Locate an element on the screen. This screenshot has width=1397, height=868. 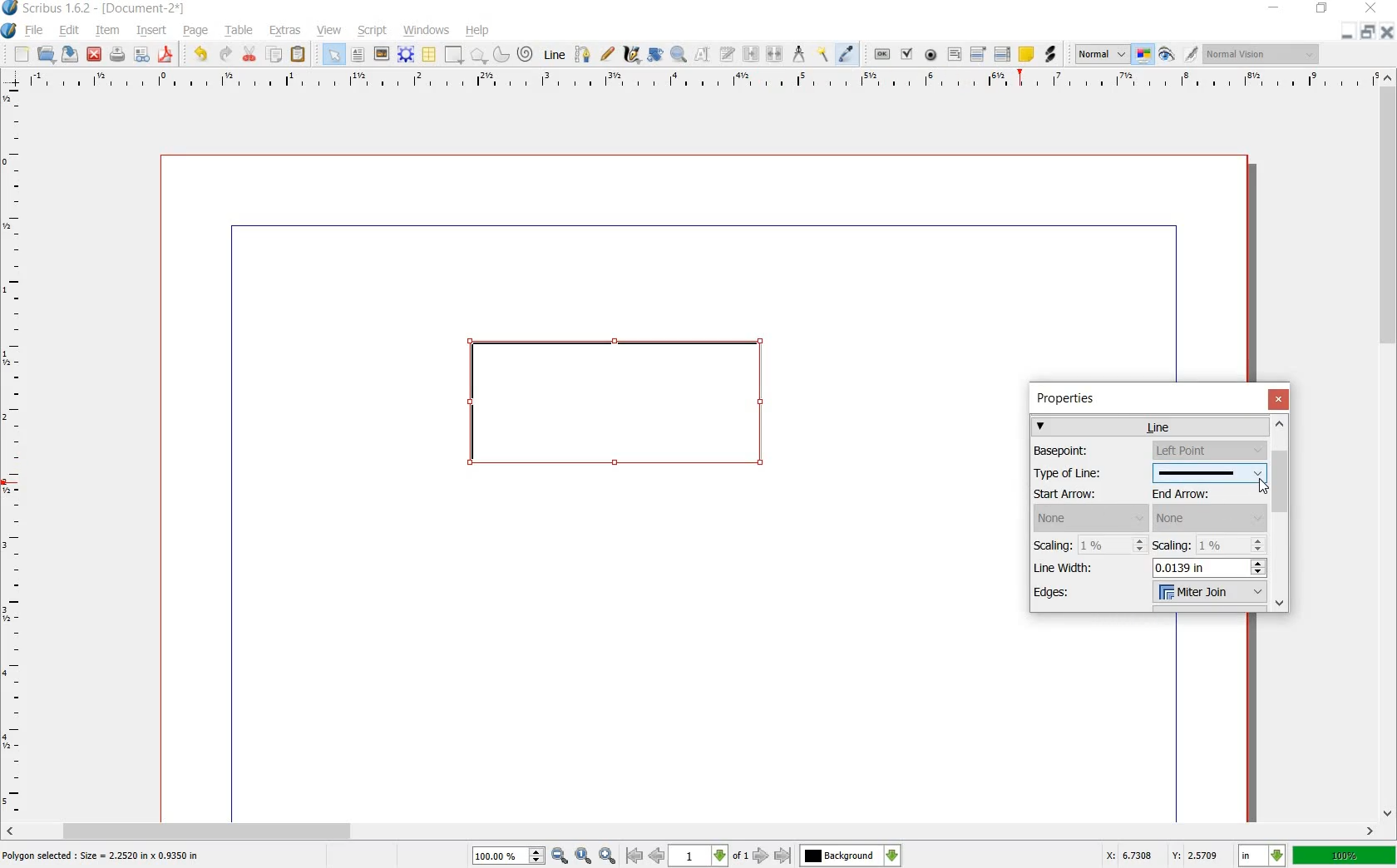
LINK ANNOTATION is located at coordinates (1051, 55).